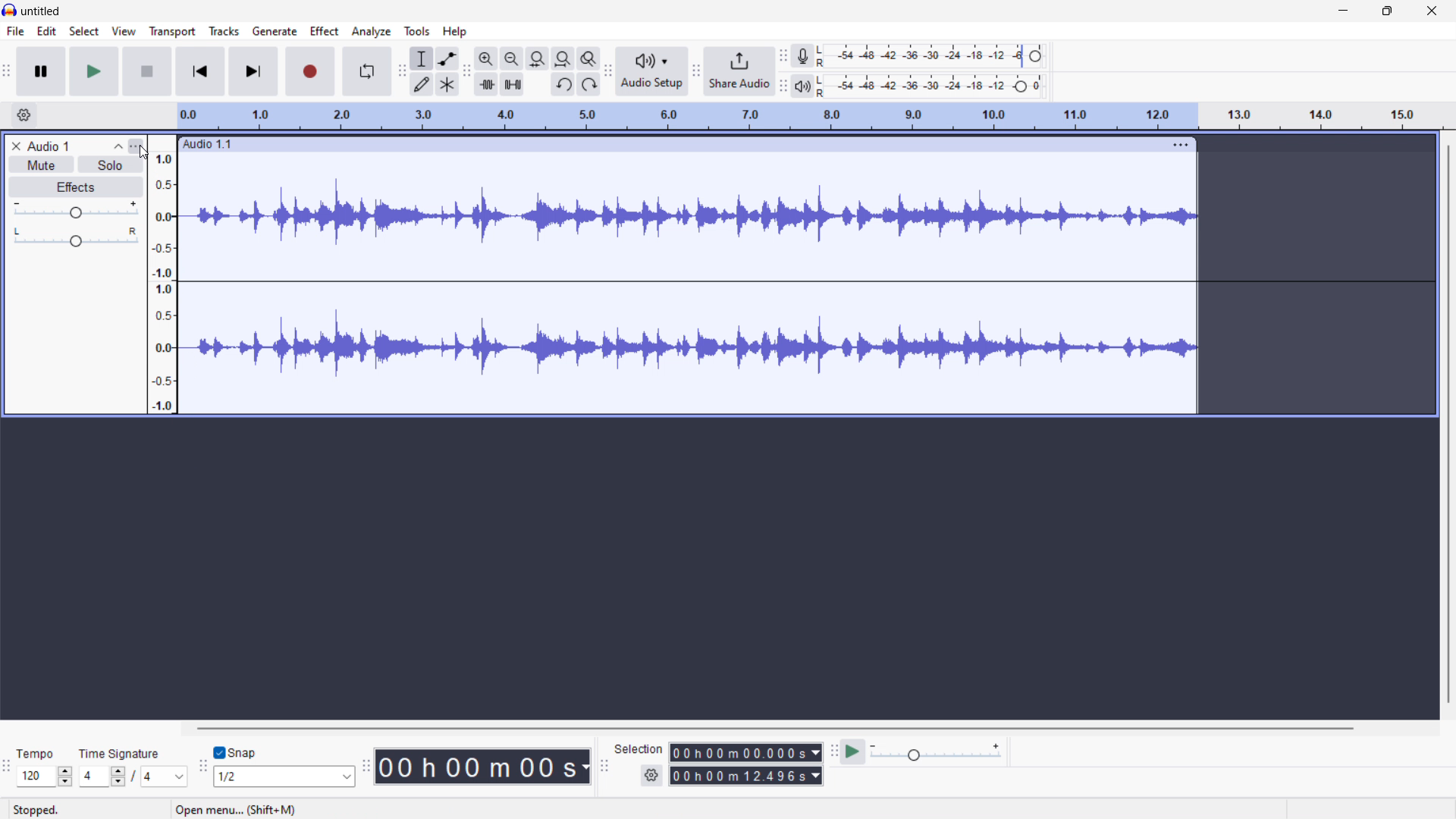 The image size is (1456, 819). Describe the element at coordinates (773, 728) in the screenshot. I see `horizontal scrollbar` at that location.